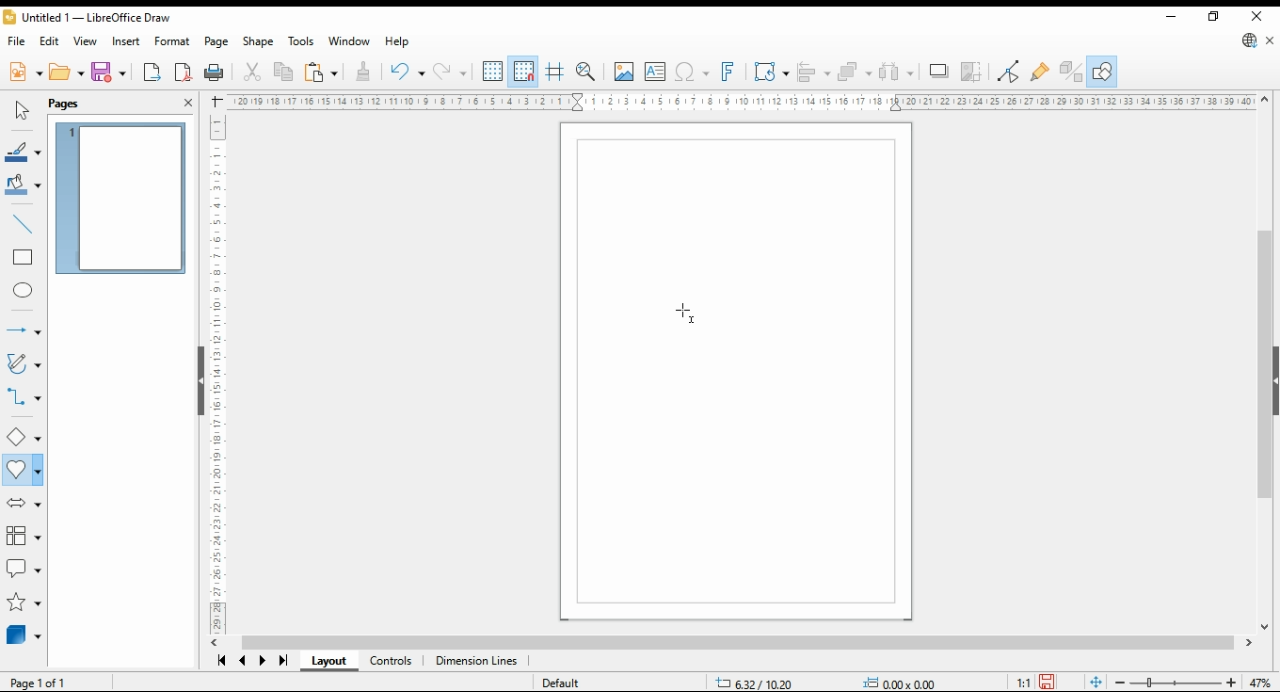 The image size is (1280, 692). What do you see at coordinates (22, 109) in the screenshot?
I see `select` at bounding box center [22, 109].